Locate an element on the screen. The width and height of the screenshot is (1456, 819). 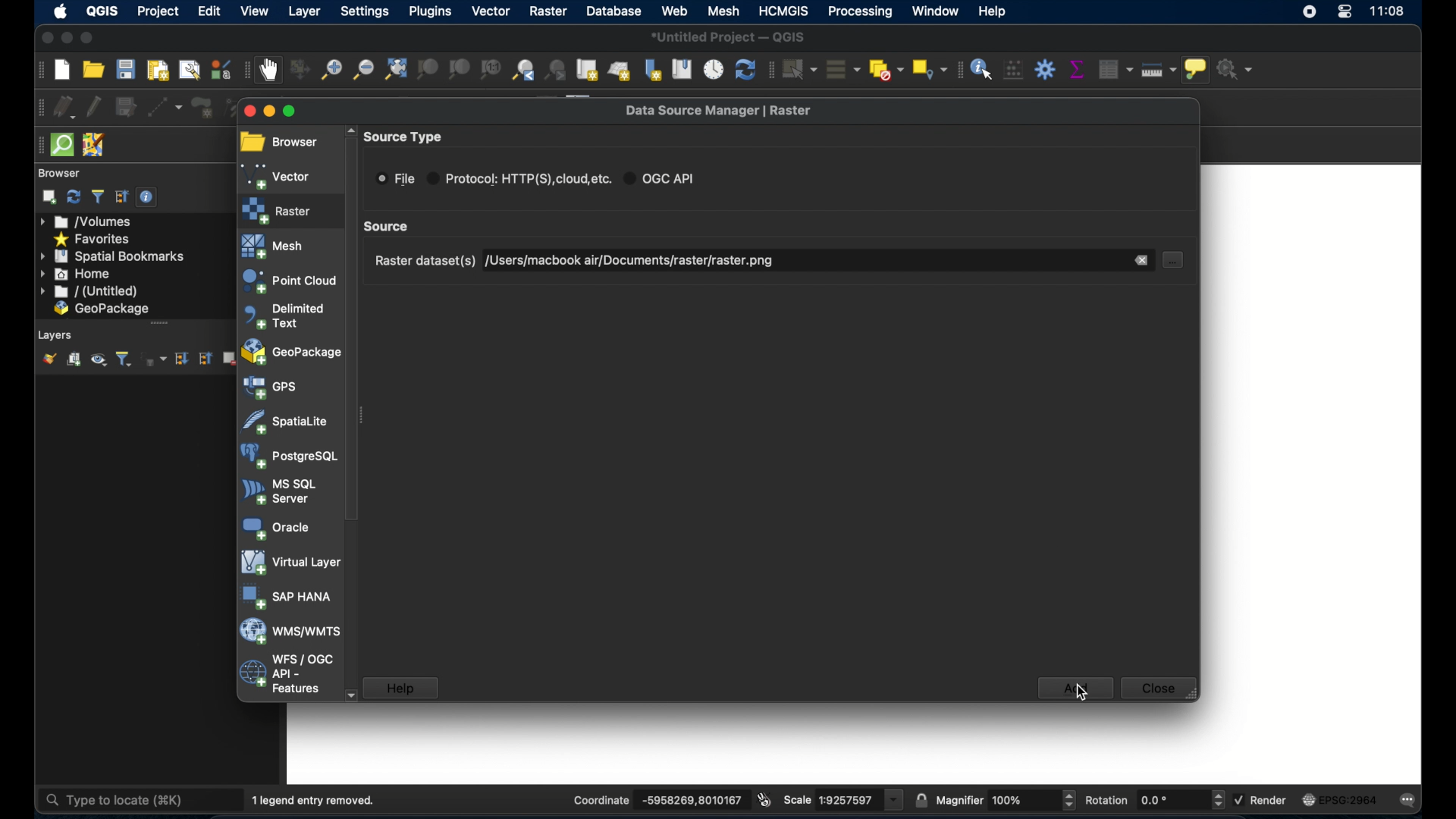
plugins is located at coordinates (429, 12).